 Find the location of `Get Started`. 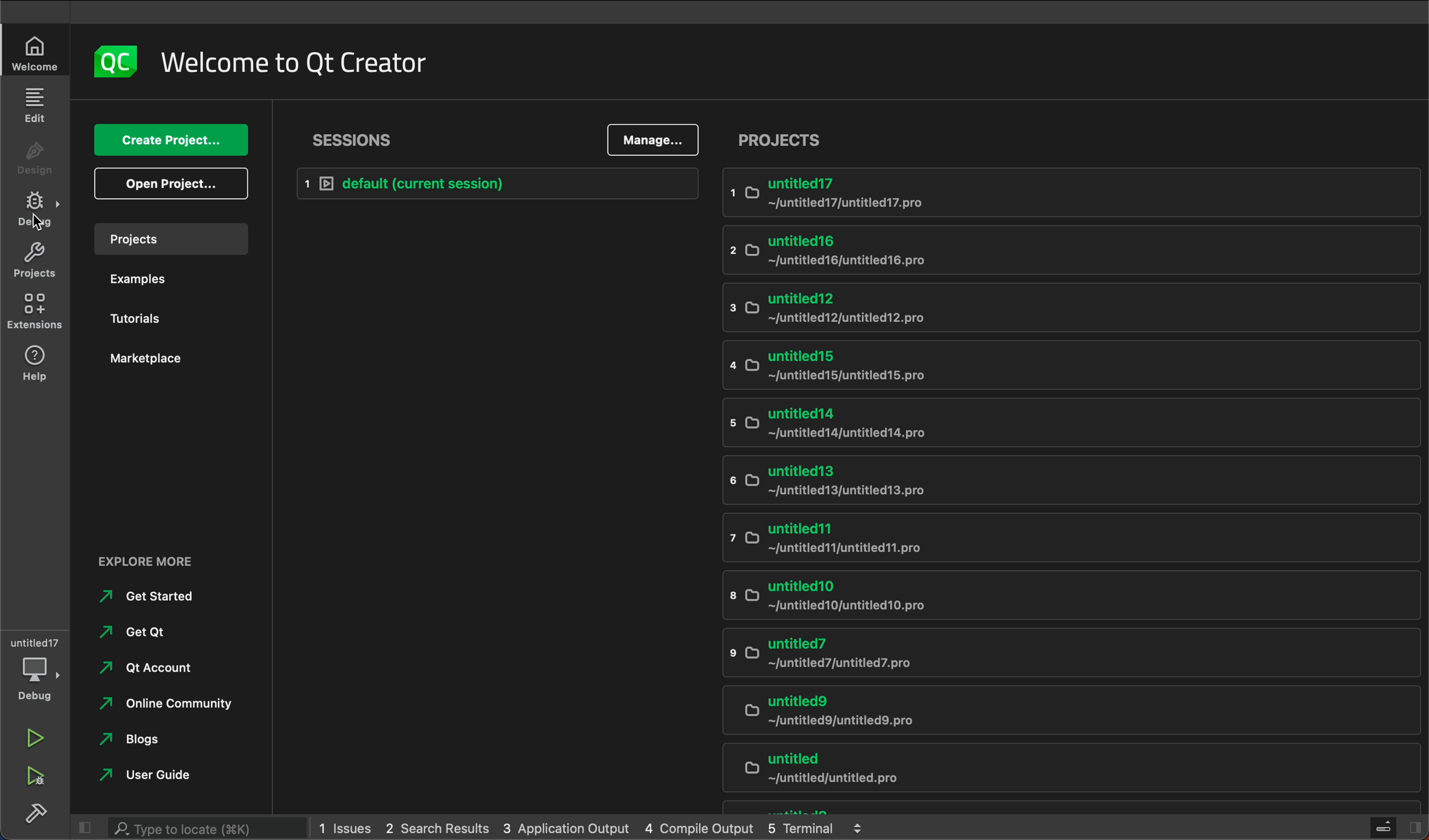

Get Started is located at coordinates (149, 596).